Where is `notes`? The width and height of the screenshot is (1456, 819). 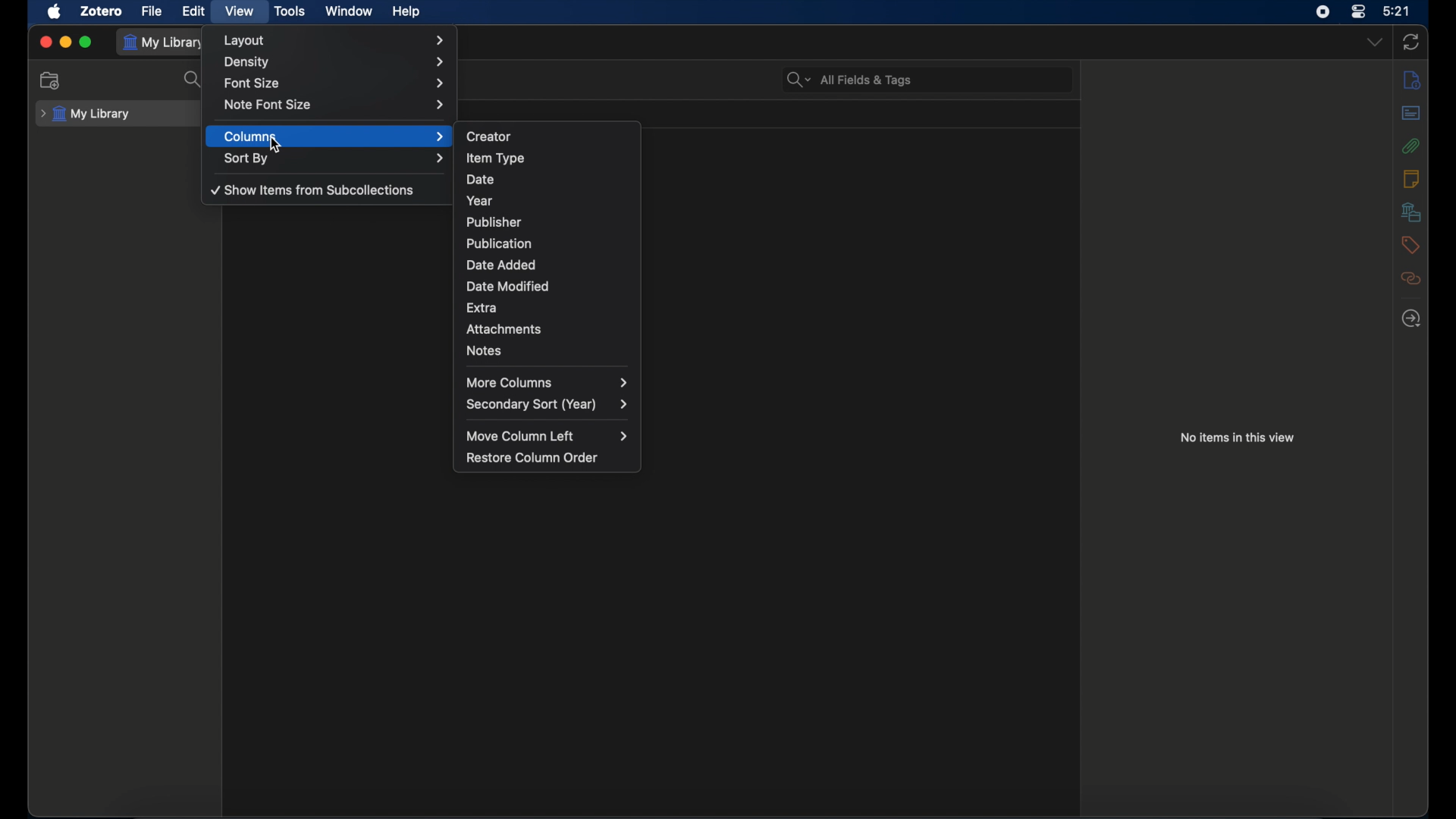 notes is located at coordinates (550, 350).